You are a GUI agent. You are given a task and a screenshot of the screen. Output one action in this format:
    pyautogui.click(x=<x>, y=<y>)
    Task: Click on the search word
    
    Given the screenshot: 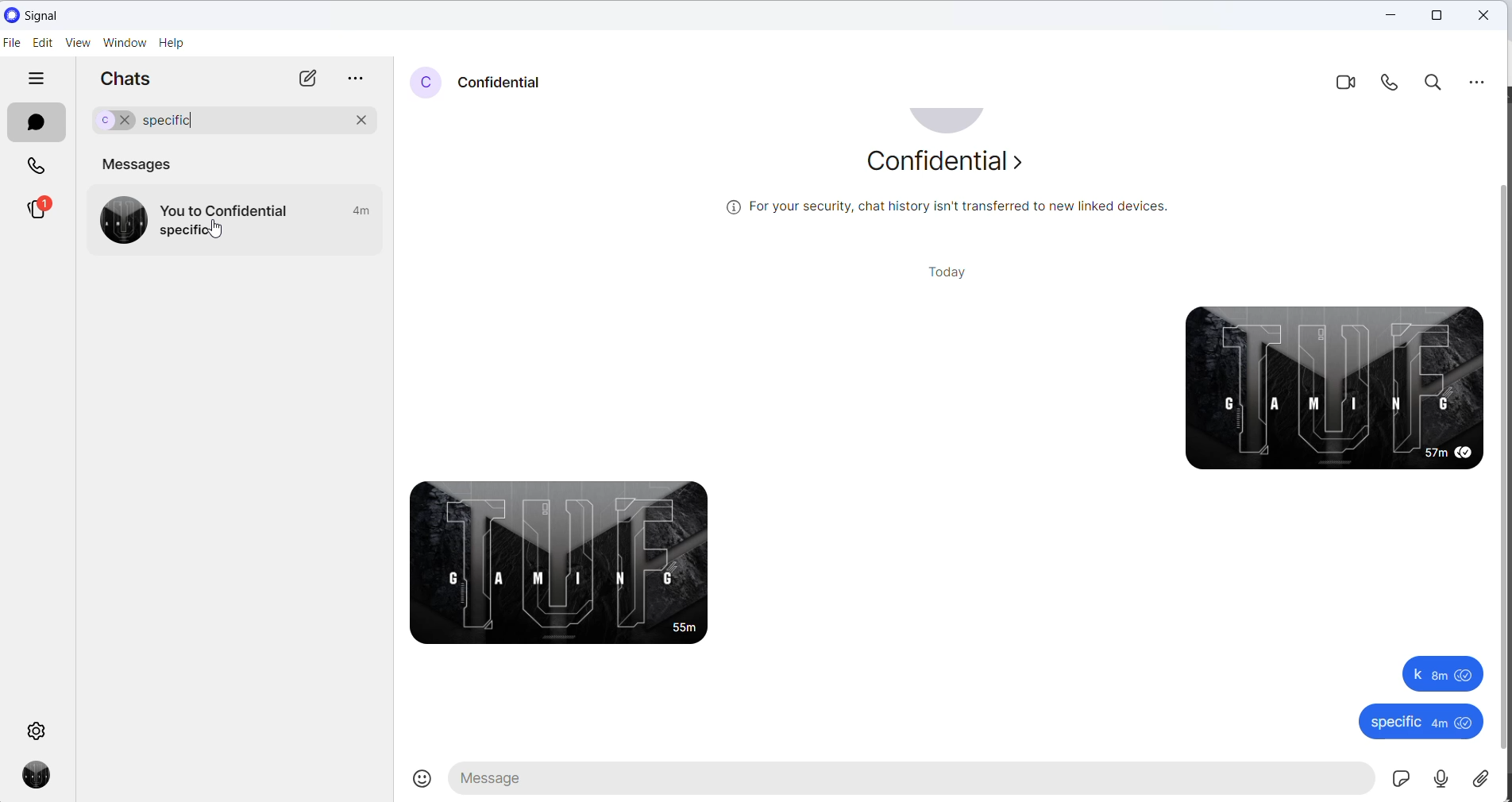 What is the action you would take?
    pyautogui.click(x=178, y=122)
    